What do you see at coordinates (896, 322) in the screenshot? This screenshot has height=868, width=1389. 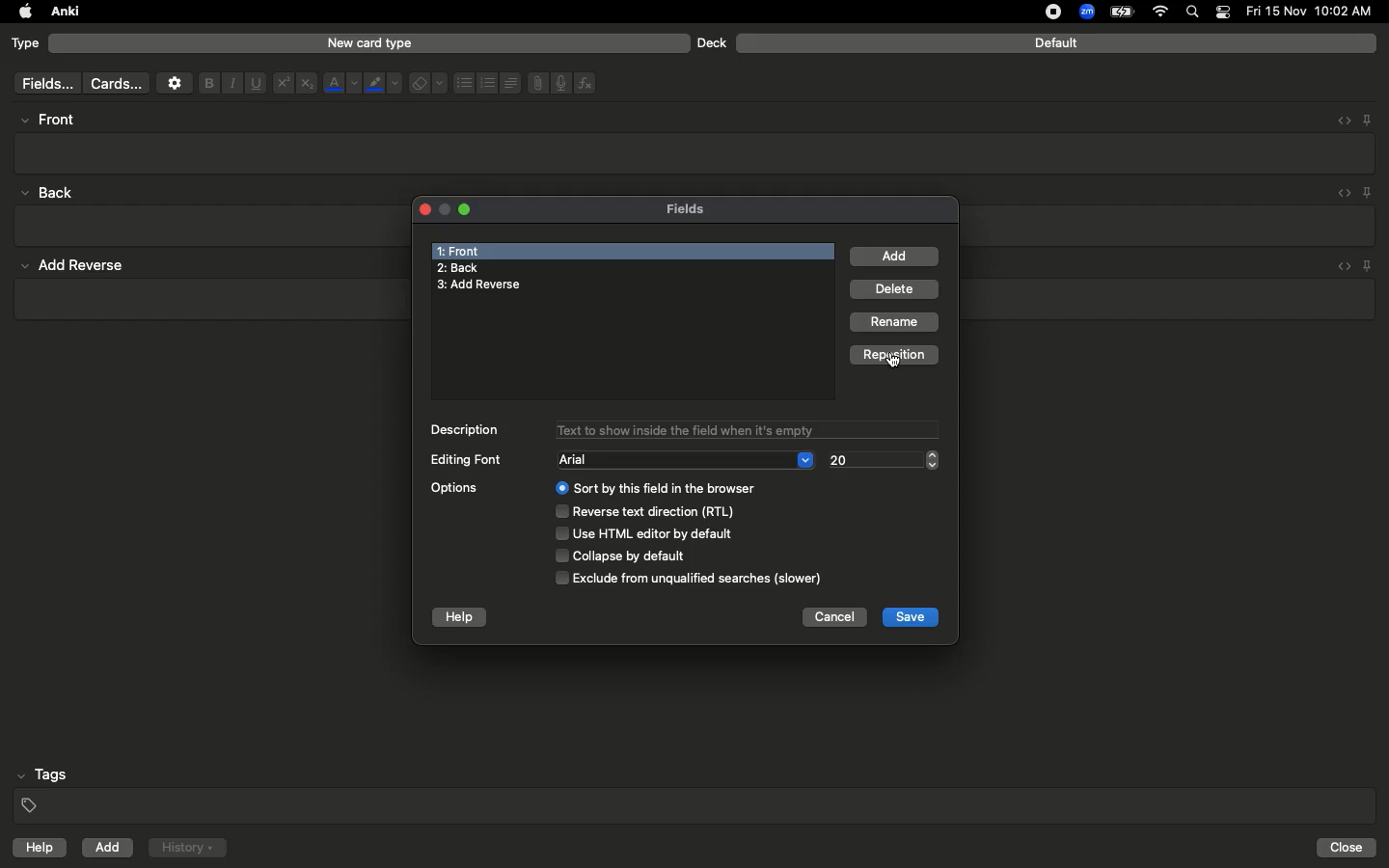 I see `Rename` at bounding box center [896, 322].